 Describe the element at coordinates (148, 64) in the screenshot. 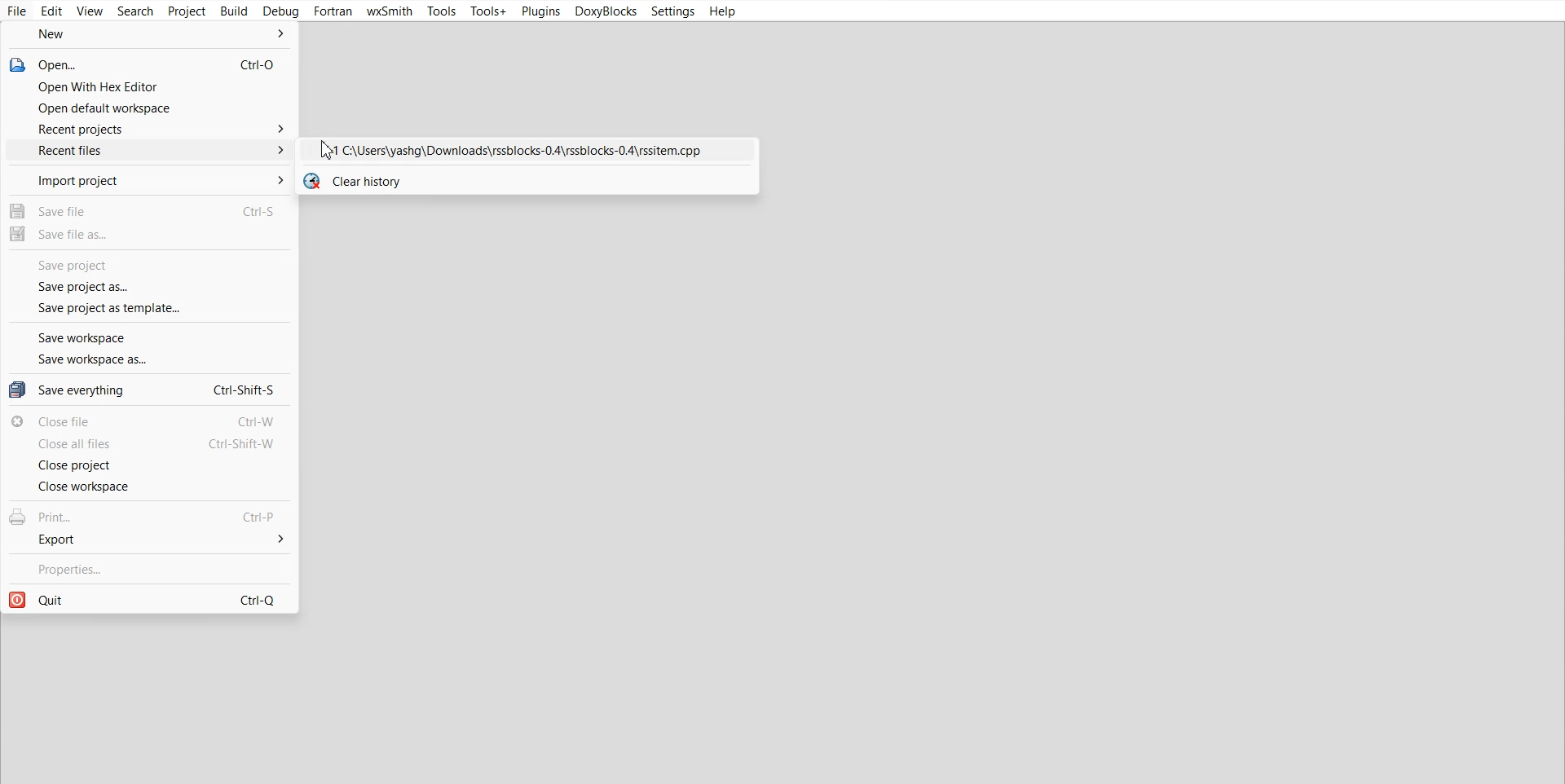

I see `Open` at that location.